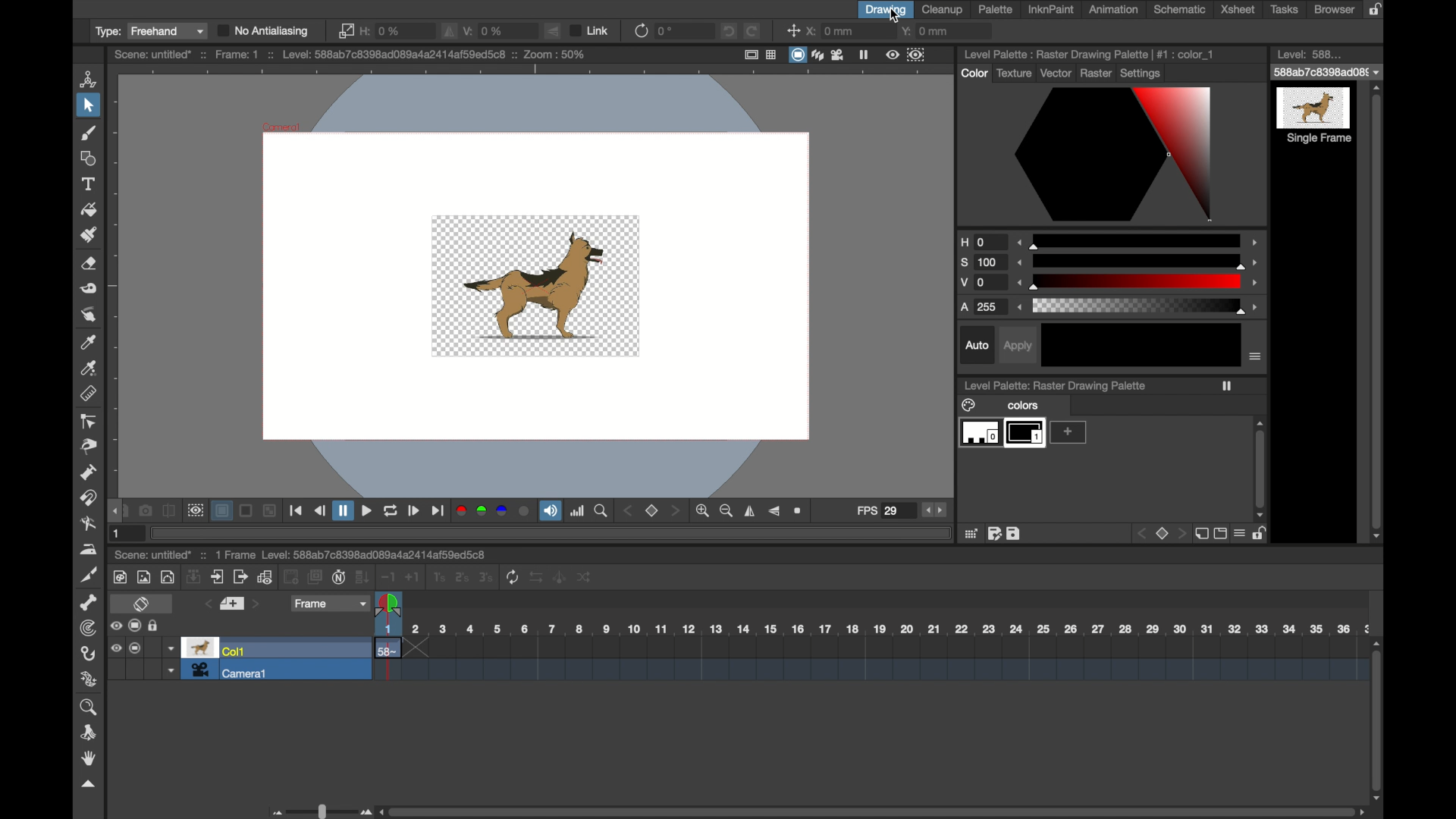 This screenshot has width=1456, height=819. Describe the element at coordinates (90, 394) in the screenshot. I see `ruler tool` at that location.